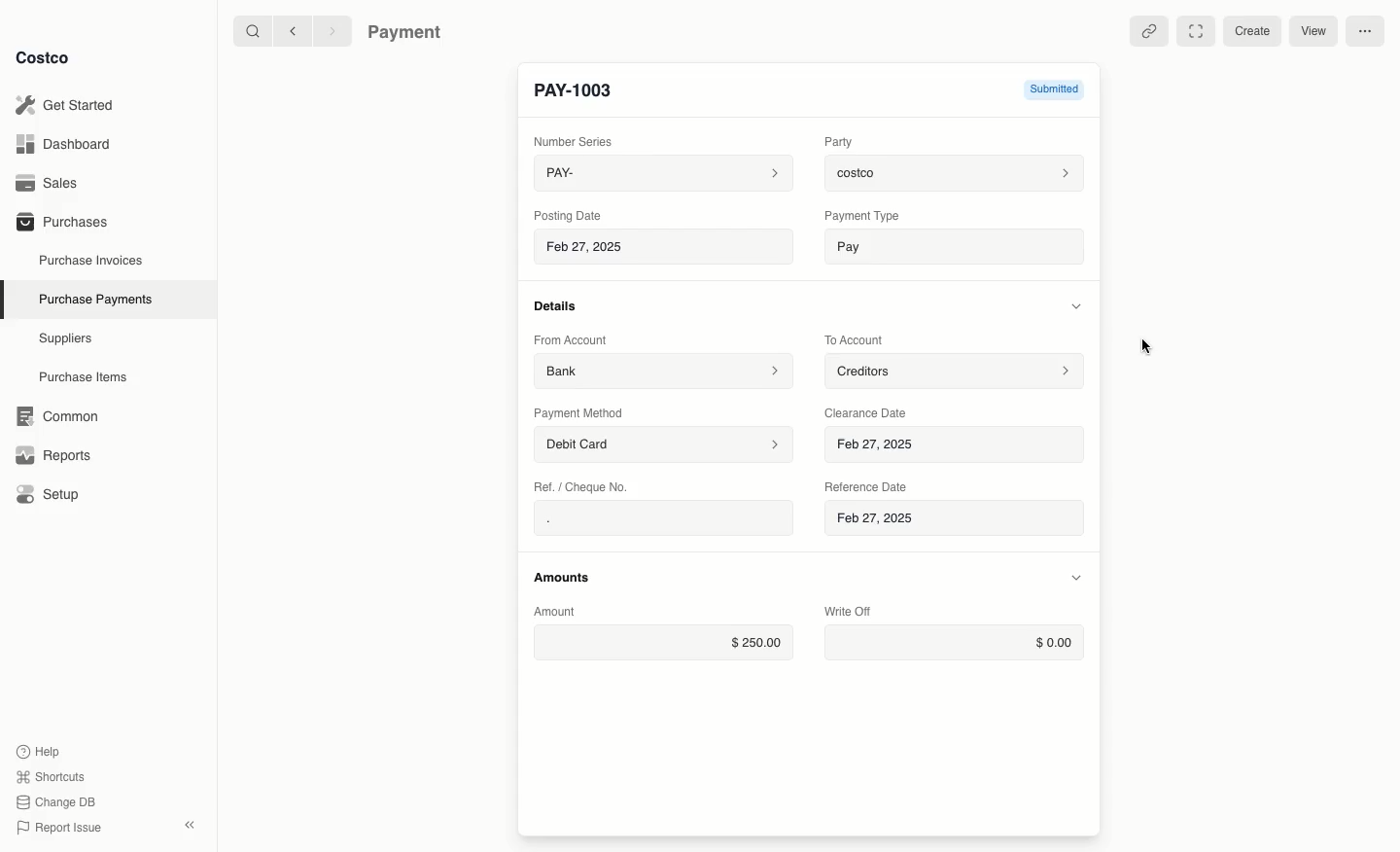 The image size is (1400, 852). I want to click on Payment Method, so click(580, 412).